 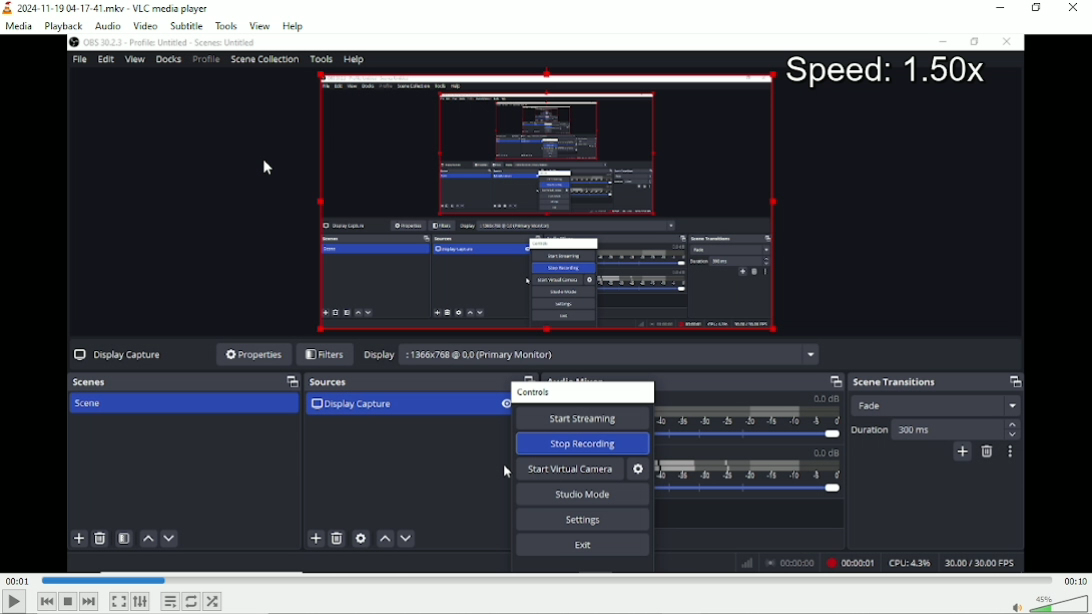 What do you see at coordinates (13, 605) in the screenshot?
I see `Play` at bounding box center [13, 605].